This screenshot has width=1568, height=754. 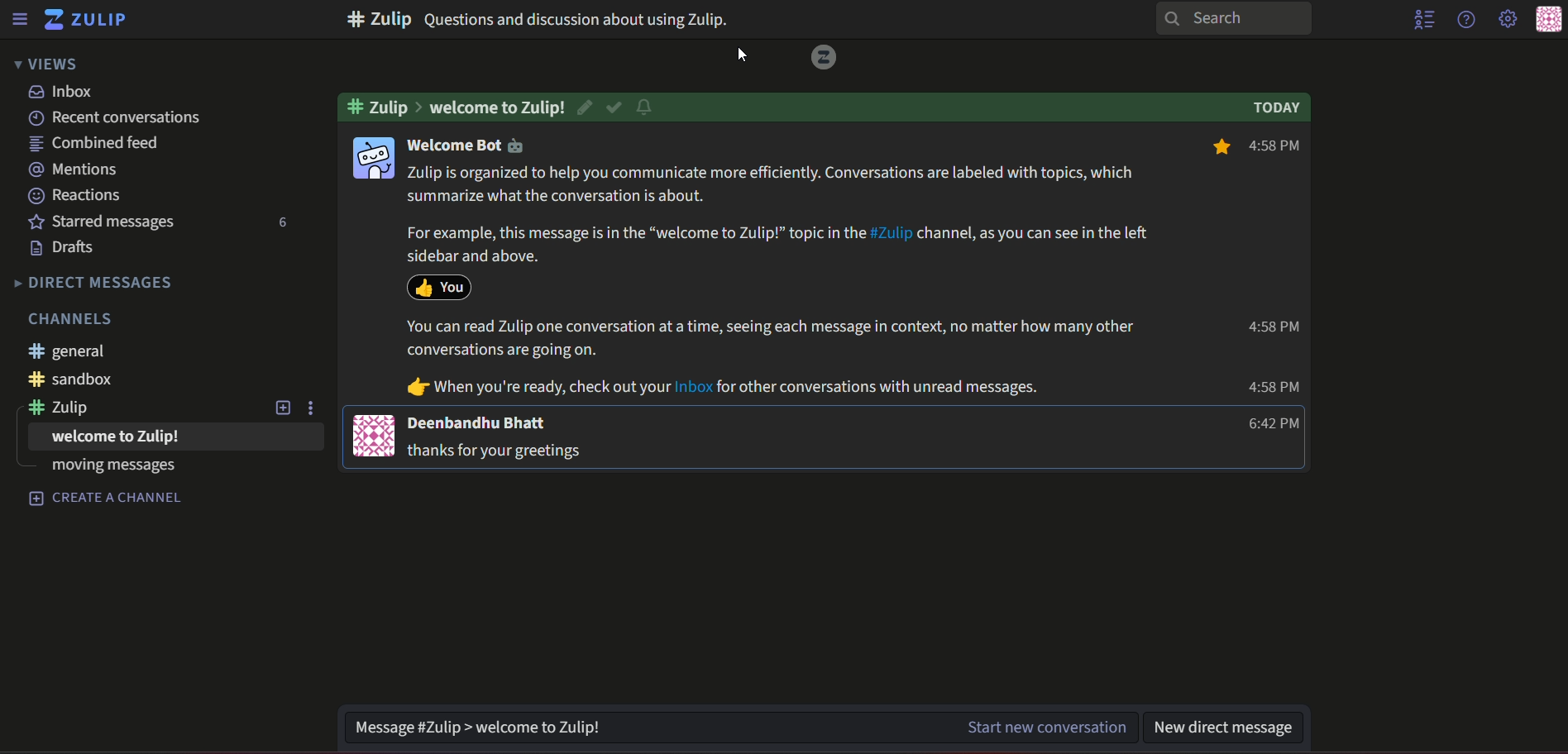 What do you see at coordinates (72, 379) in the screenshot?
I see `#sandbox` at bounding box center [72, 379].